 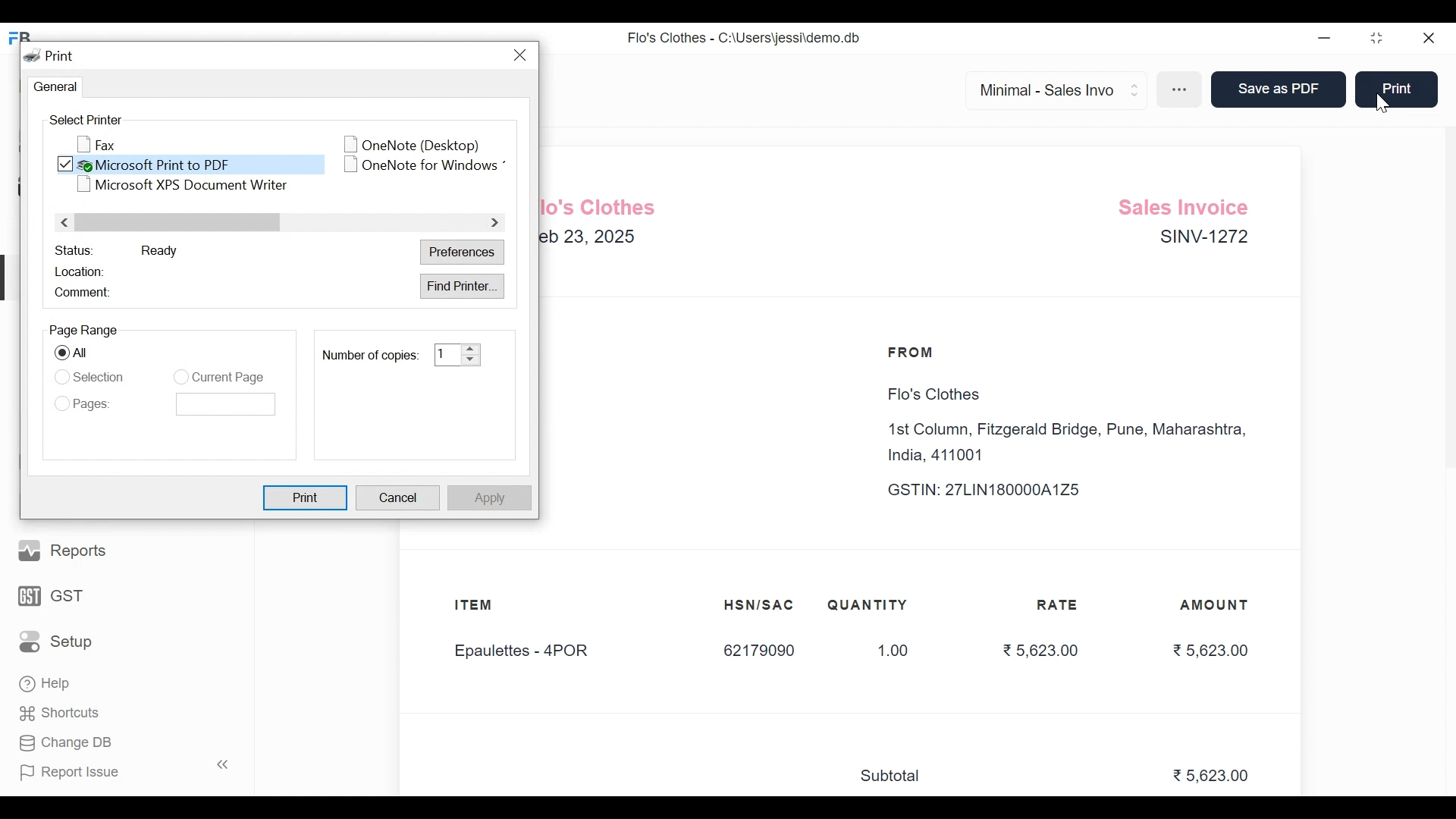 What do you see at coordinates (307, 497) in the screenshot?
I see `Print` at bounding box center [307, 497].